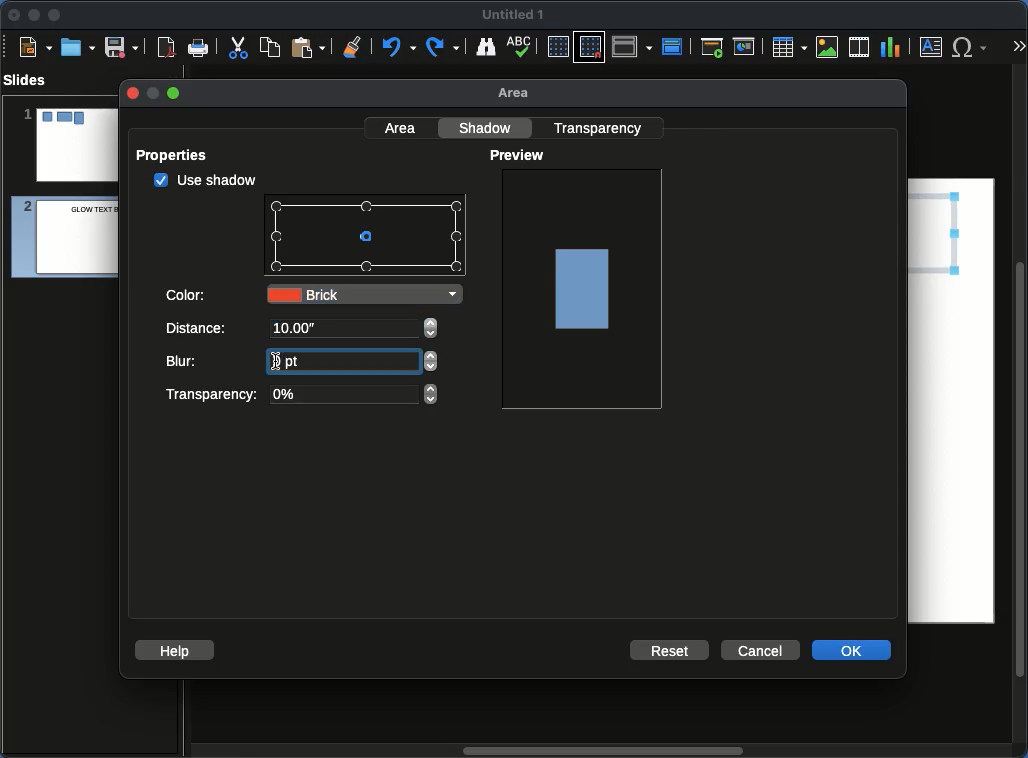  Describe the element at coordinates (238, 47) in the screenshot. I see `Cut` at that location.